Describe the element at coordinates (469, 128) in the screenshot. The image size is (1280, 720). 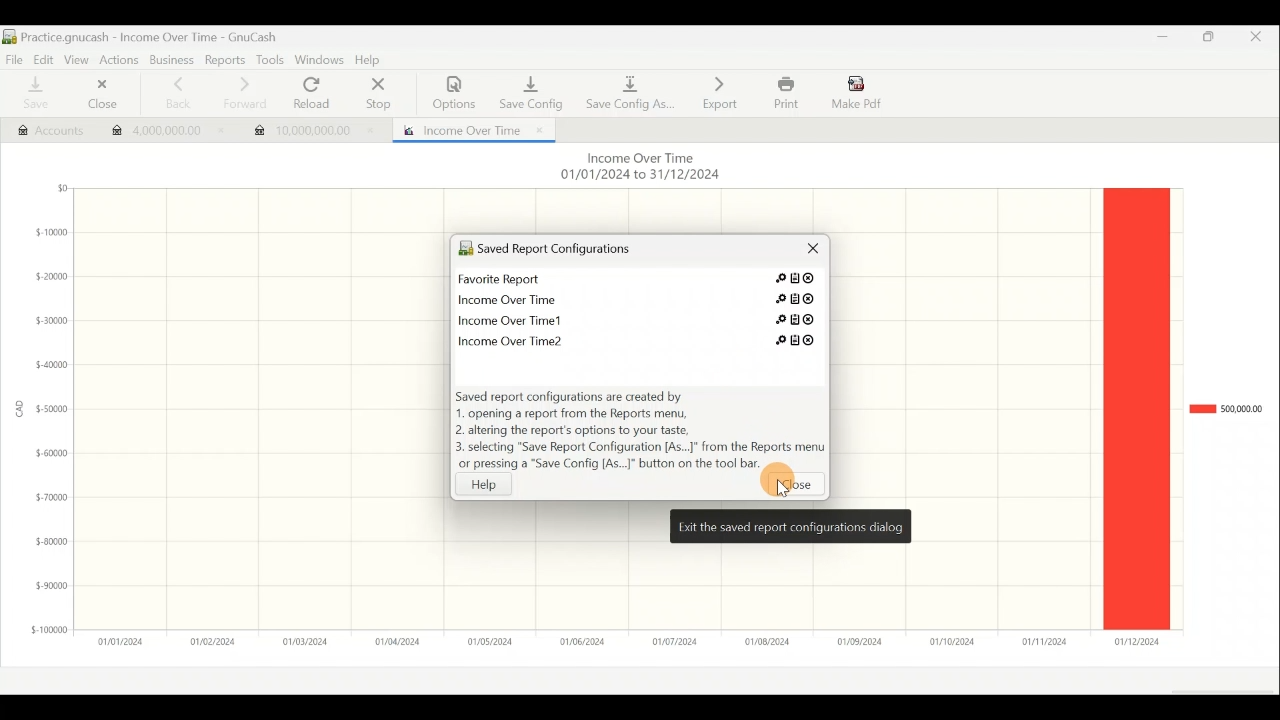
I see `Report` at that location.